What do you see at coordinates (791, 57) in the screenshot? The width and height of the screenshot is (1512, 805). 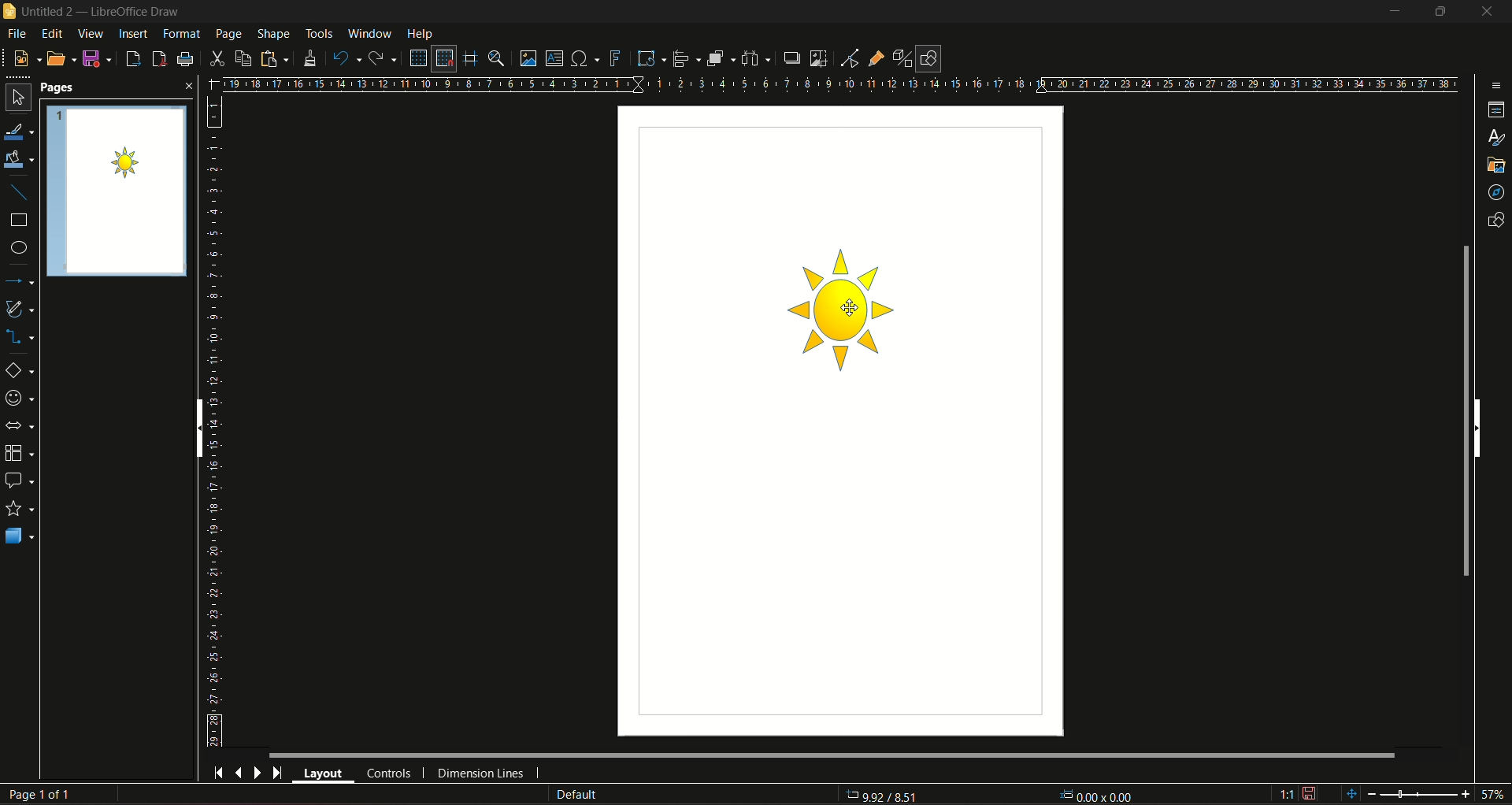 I see `shadow` at bounding box center [791, 57].